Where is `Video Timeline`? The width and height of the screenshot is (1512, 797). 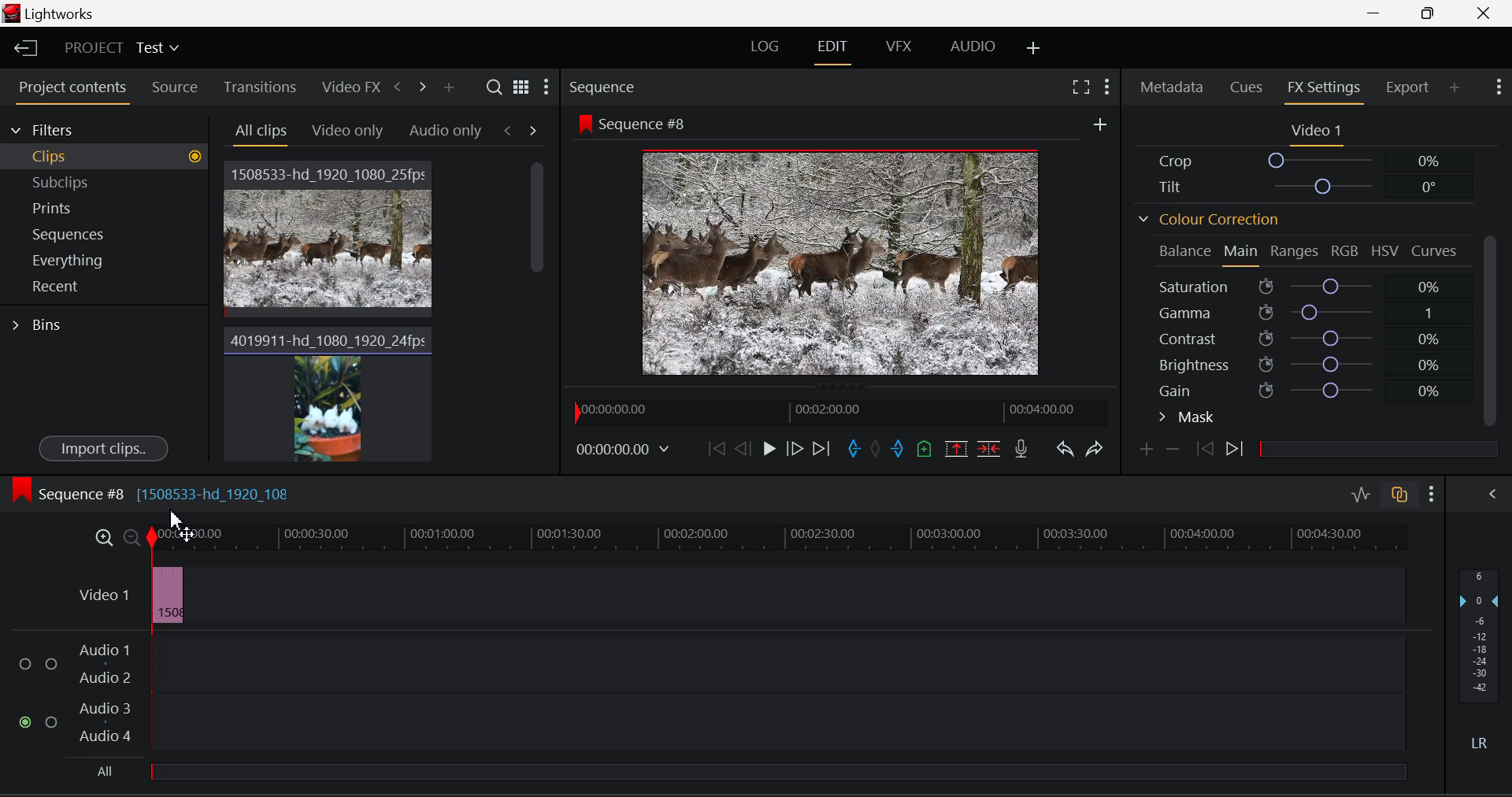
Video Timeline is located at coordinates (776, 539).